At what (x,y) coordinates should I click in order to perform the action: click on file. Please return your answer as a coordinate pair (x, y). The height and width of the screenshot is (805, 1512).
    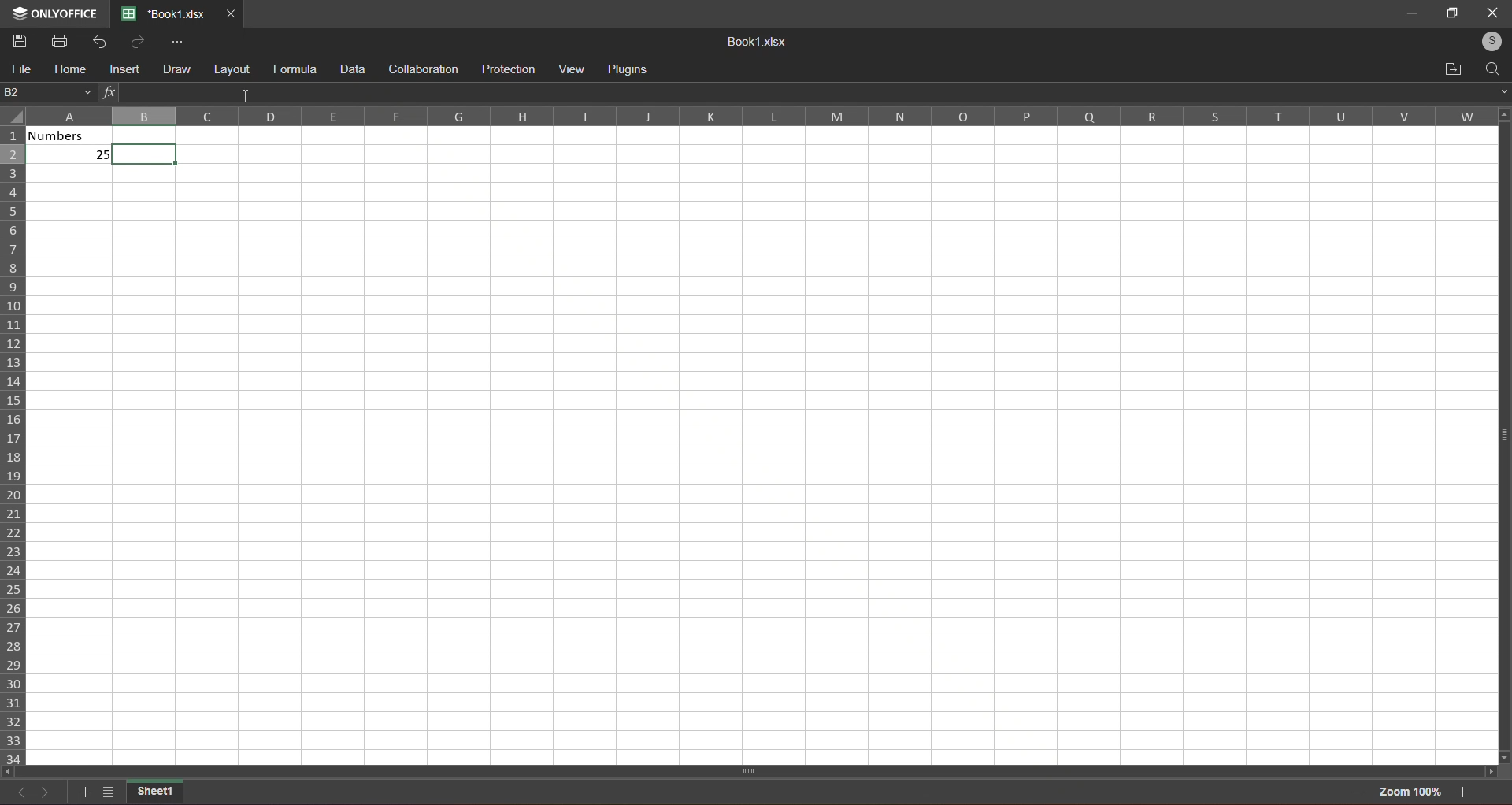
    Looking at the image, I should click on (20, 70).